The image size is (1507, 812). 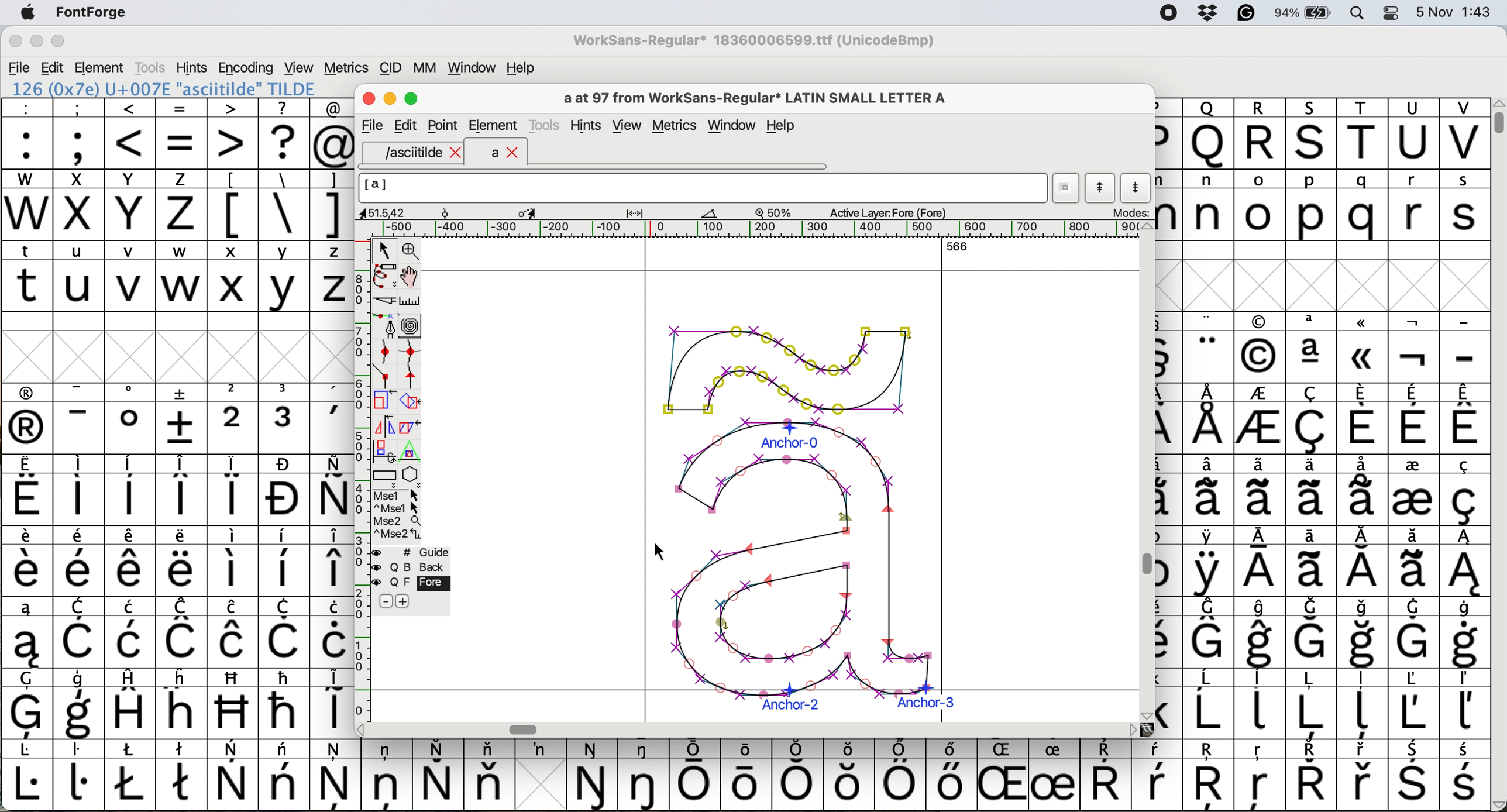 What do you see at coordinates (1313, 133) in the screenshot?
I see `` at bounding box center [1313, 133].